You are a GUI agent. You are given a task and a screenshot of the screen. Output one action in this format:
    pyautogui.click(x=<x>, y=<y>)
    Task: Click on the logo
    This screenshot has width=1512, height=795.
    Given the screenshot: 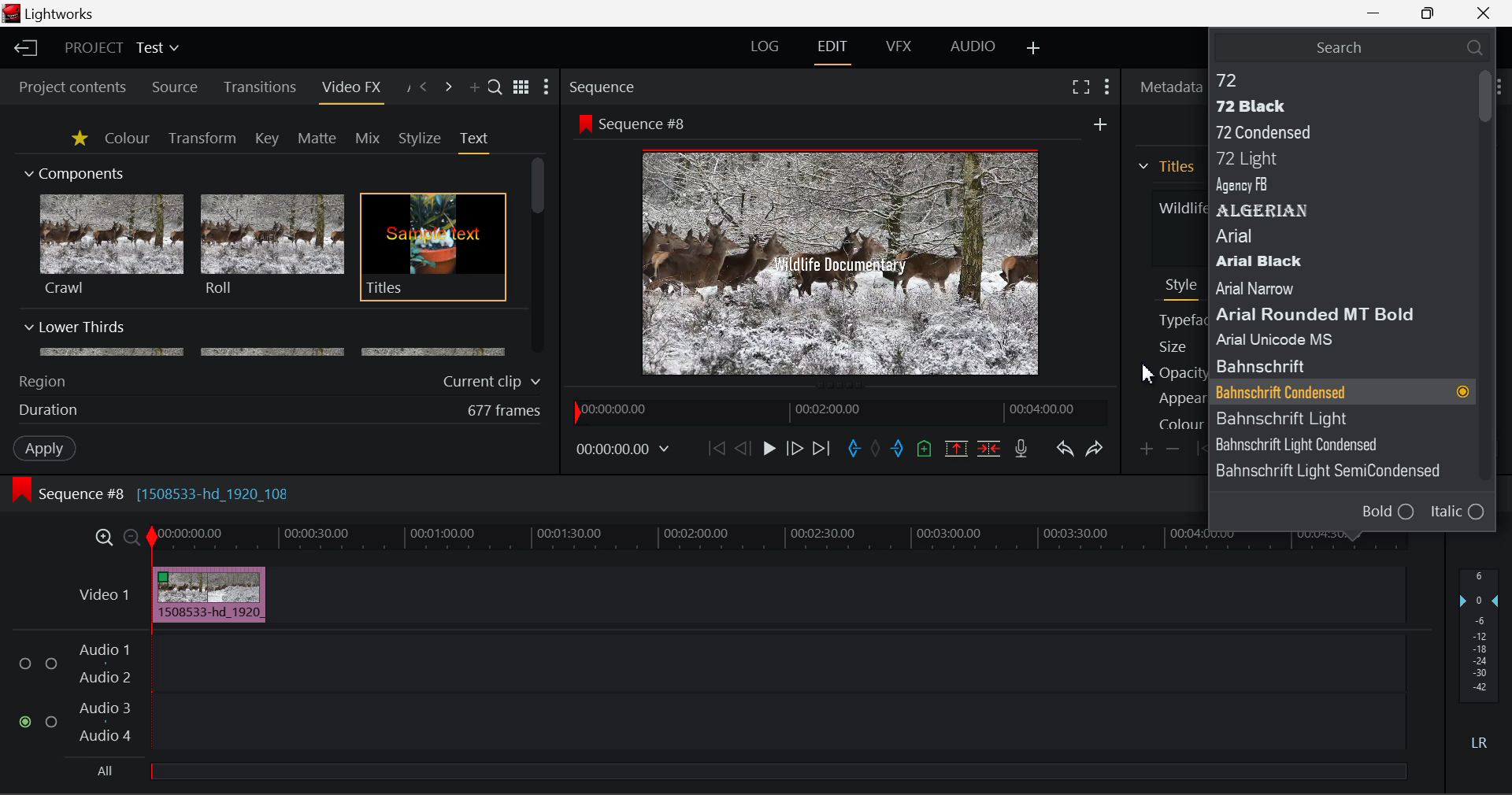 What is the action you would take?
    pyautogui.click(x=13, y=13)
    